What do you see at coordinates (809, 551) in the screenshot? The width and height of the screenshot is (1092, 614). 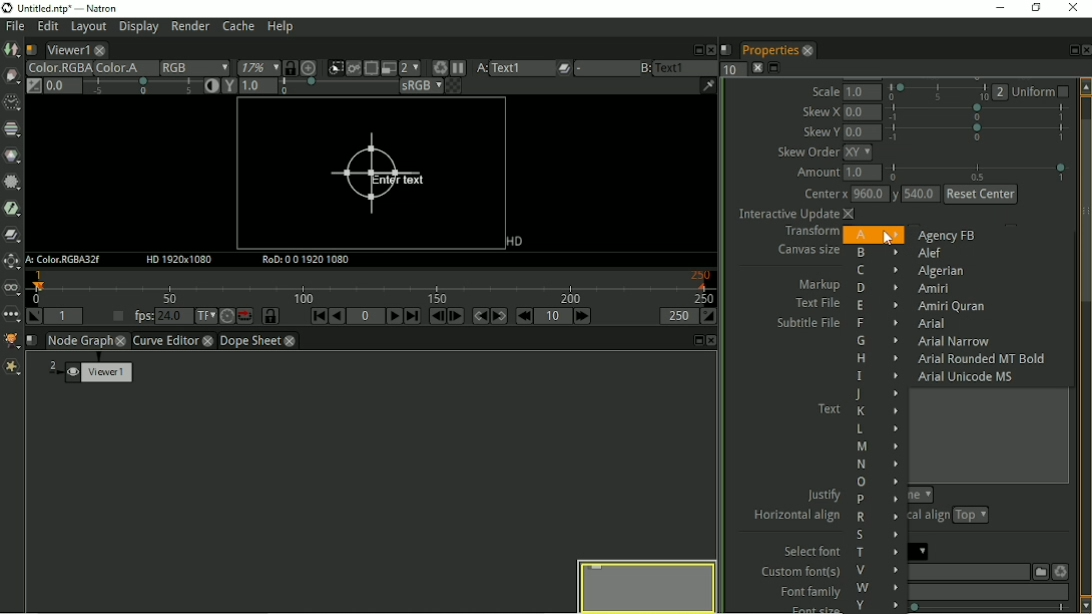 I see `Select font` at bounding box center [809, 551].